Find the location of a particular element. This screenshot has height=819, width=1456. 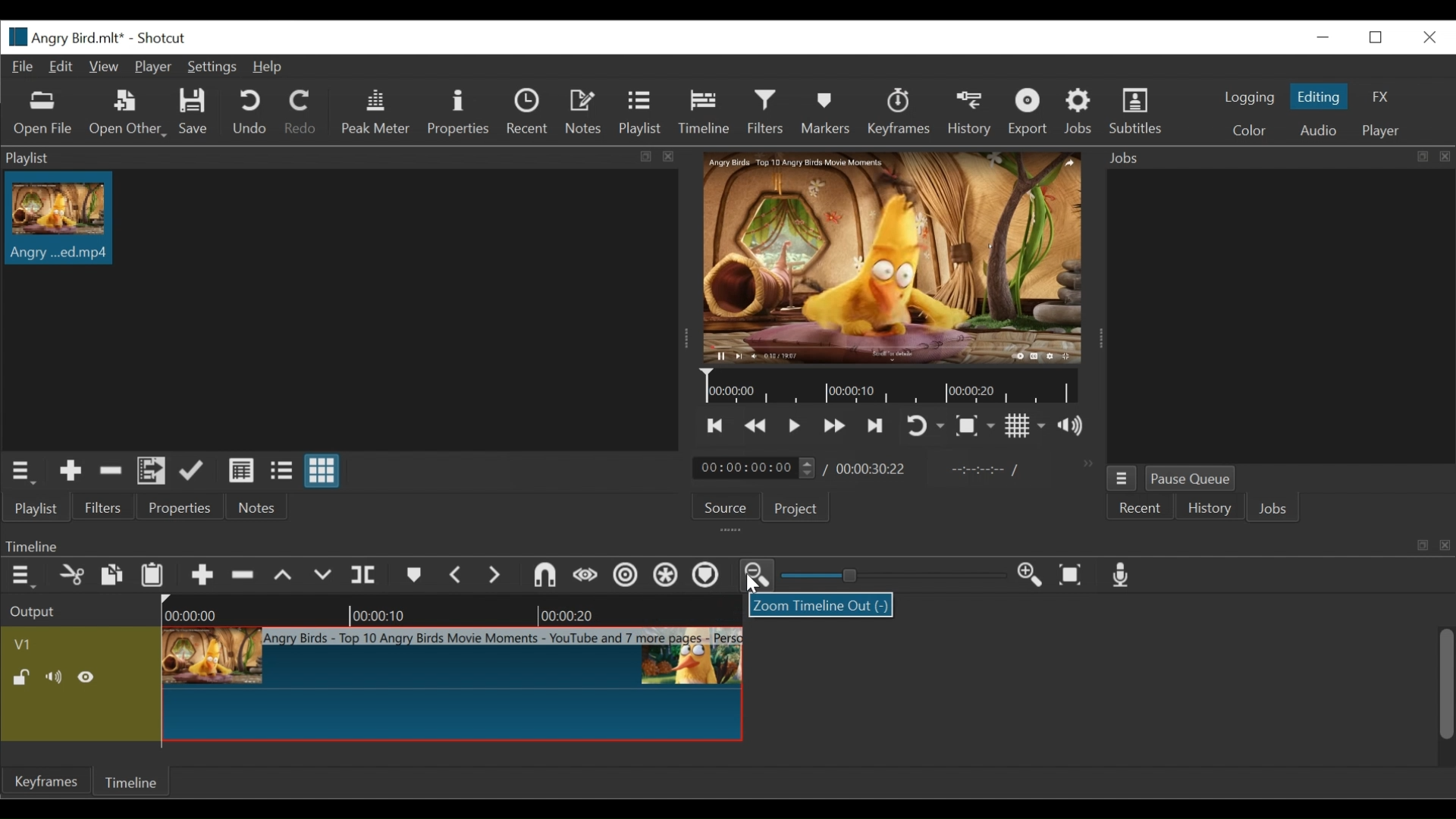

Editing is located at coordinates (1321, 96).